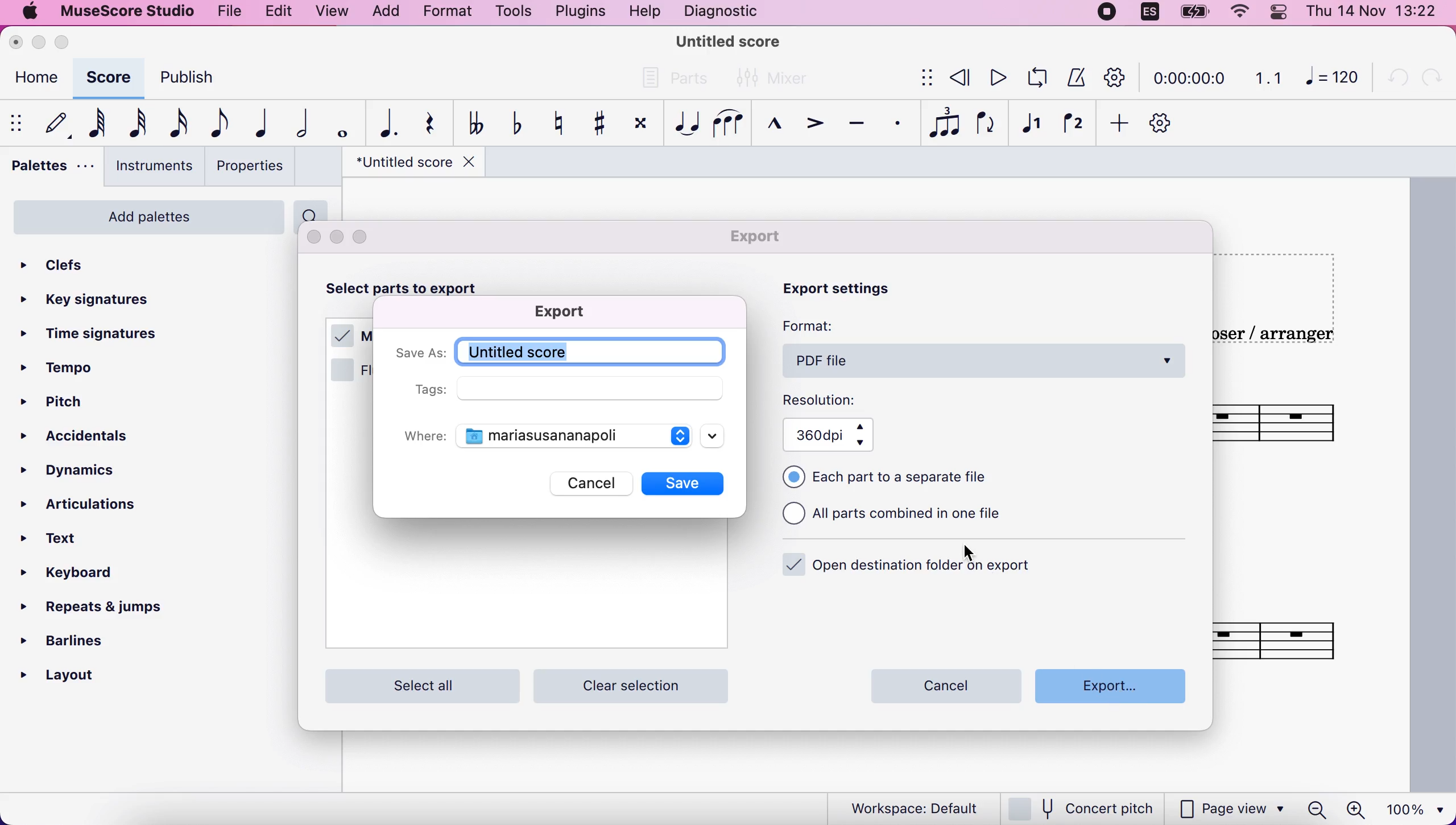 This screenshot has width=1456, height=825. What do you see at coordinates (471, 125) in the screenshot?
I see `toggle double flat` at bounding box center [471, 125].